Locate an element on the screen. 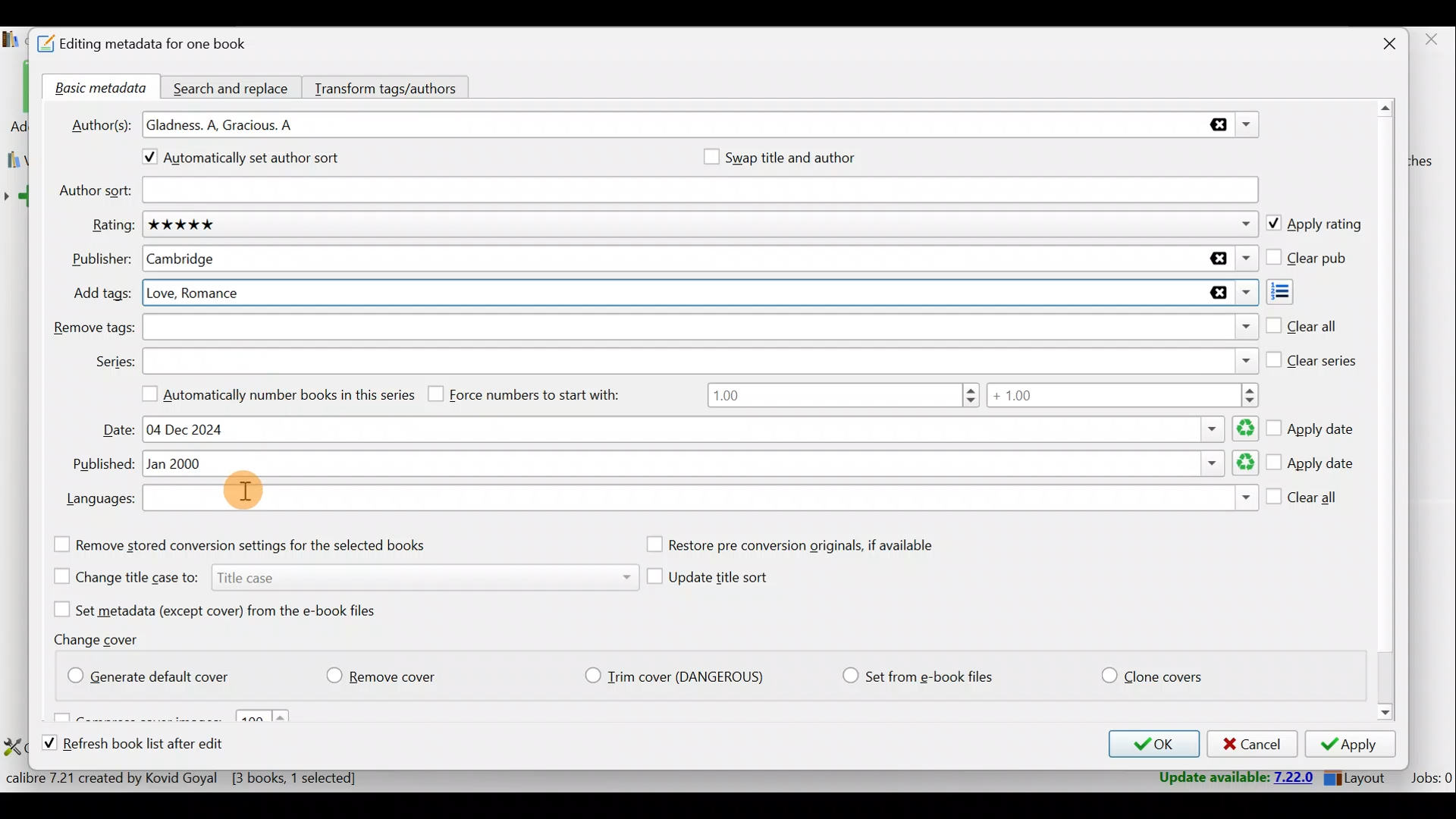  Close is located at coordinates (1382, 45).